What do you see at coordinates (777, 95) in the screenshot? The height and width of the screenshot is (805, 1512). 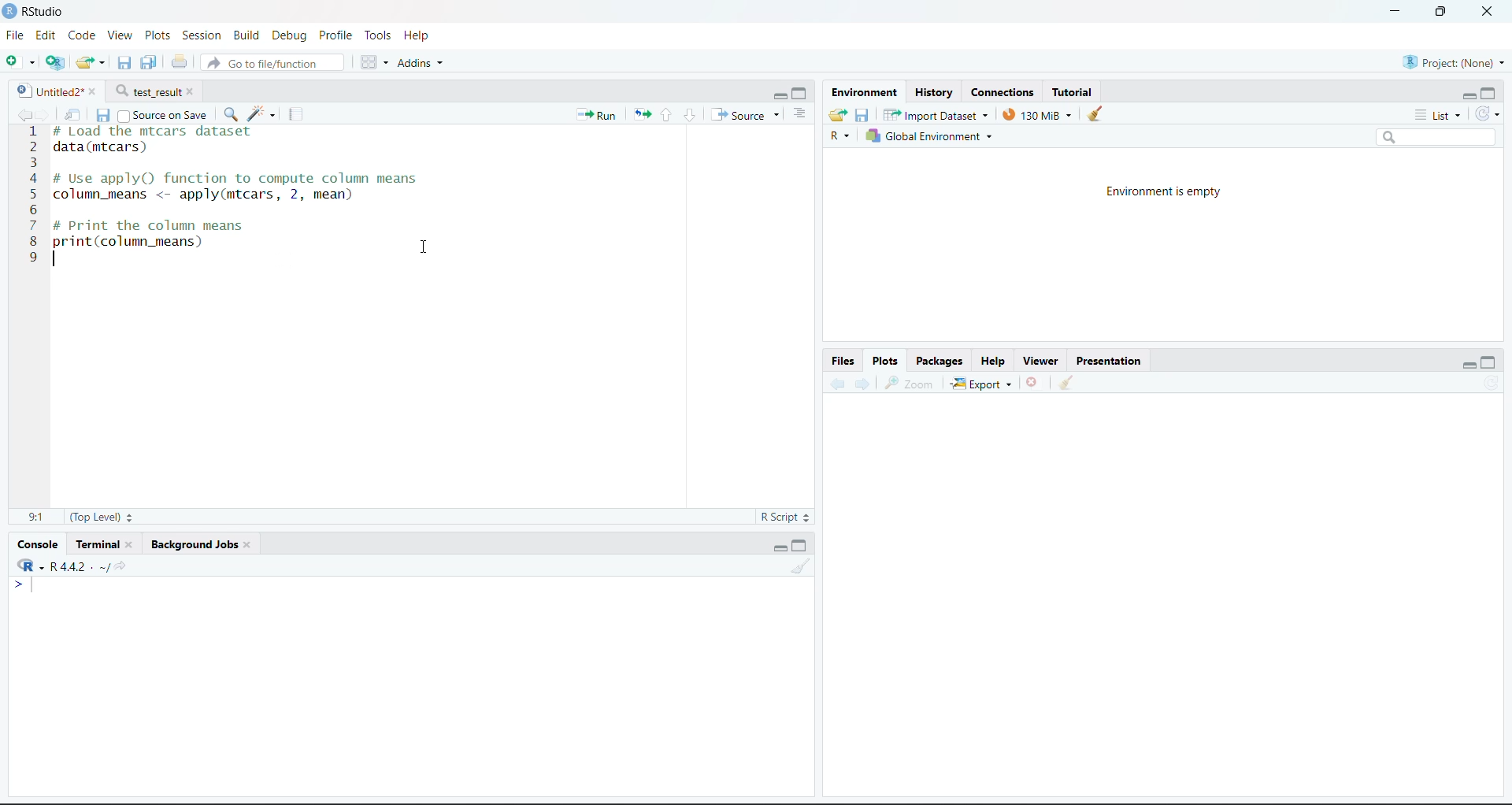 I see `Minimize` at bounding box center [777, 95].